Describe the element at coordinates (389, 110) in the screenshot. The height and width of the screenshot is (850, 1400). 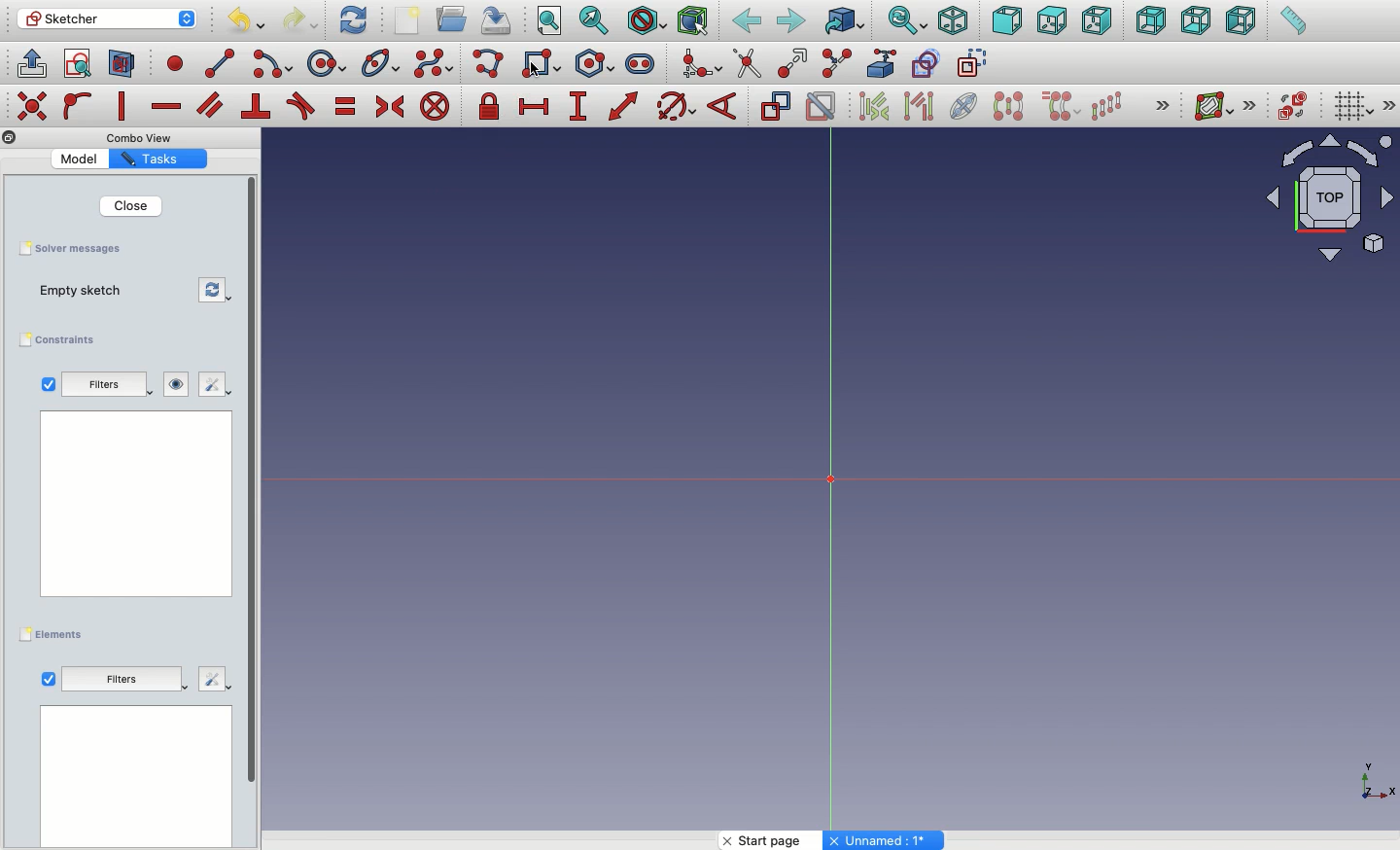
I see `constrain symmetrical ` at that location.